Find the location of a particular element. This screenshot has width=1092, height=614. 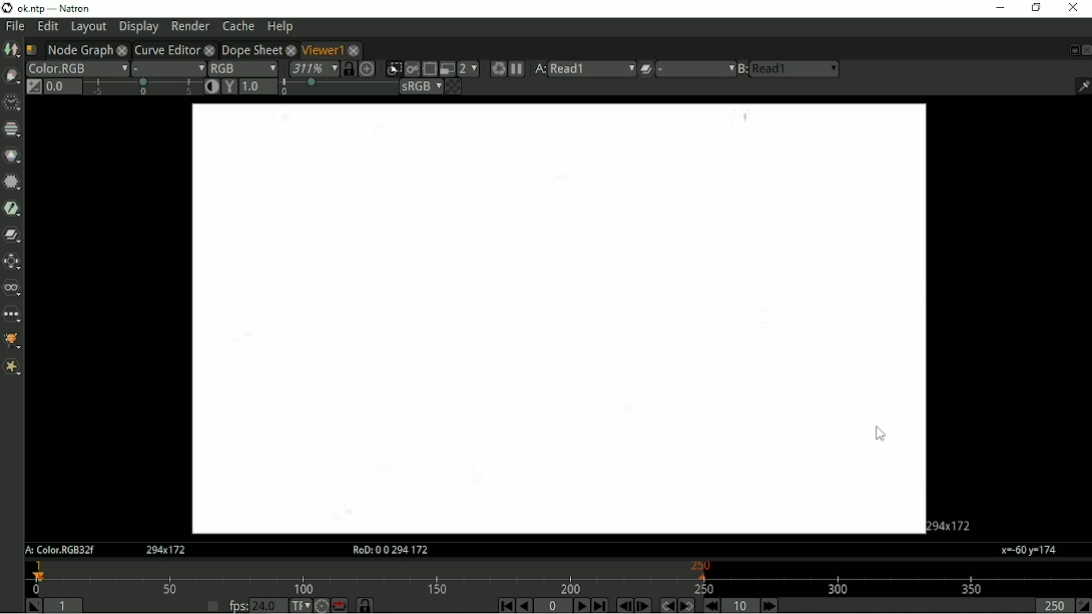

Help is located at coordinates (281, 27).